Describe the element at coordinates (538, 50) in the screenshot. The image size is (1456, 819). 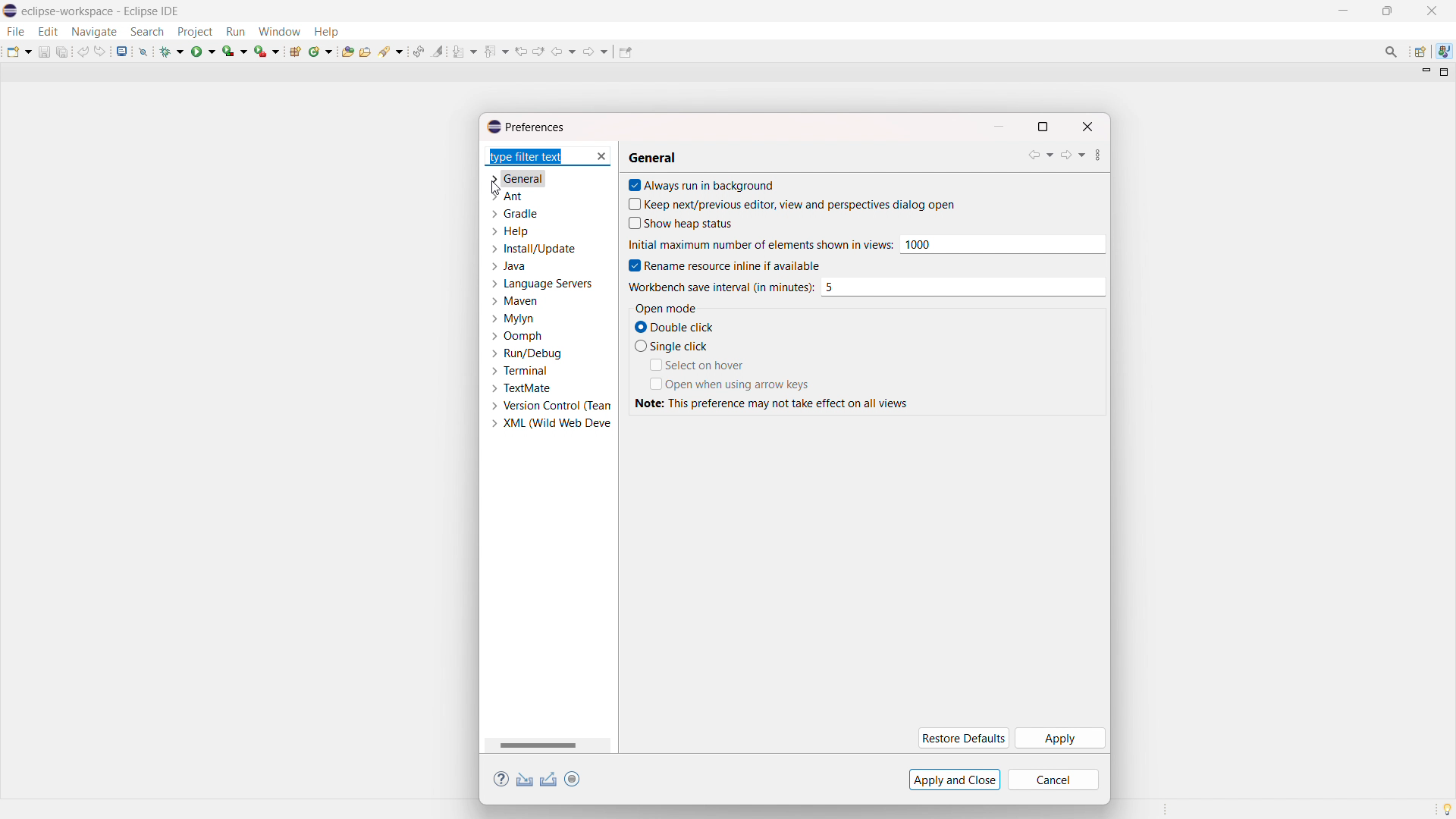
I see `view next location` at that location.